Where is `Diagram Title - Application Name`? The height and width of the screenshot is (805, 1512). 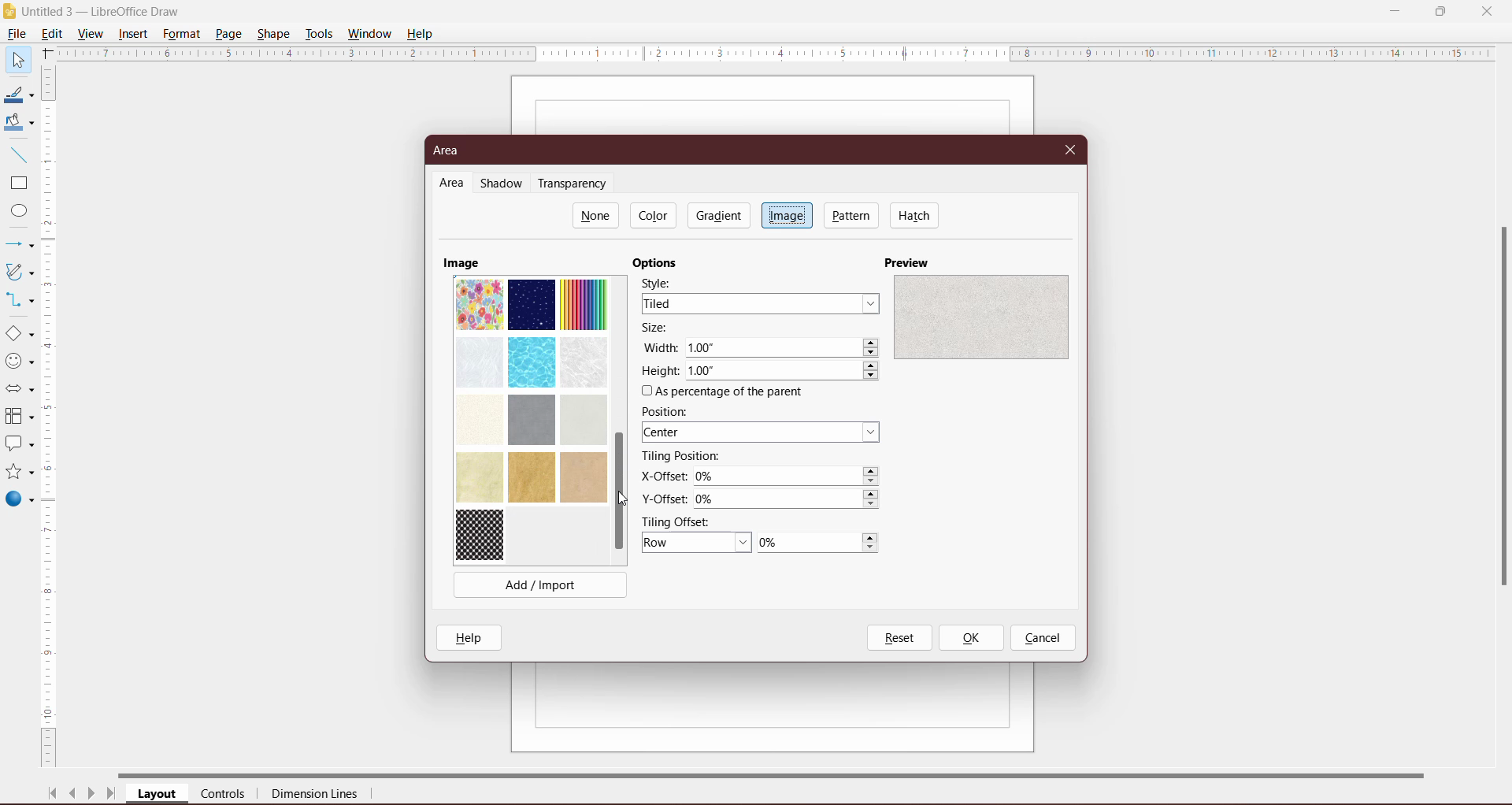 Diagram Title - Application Name is located at coordinates (106, 11).